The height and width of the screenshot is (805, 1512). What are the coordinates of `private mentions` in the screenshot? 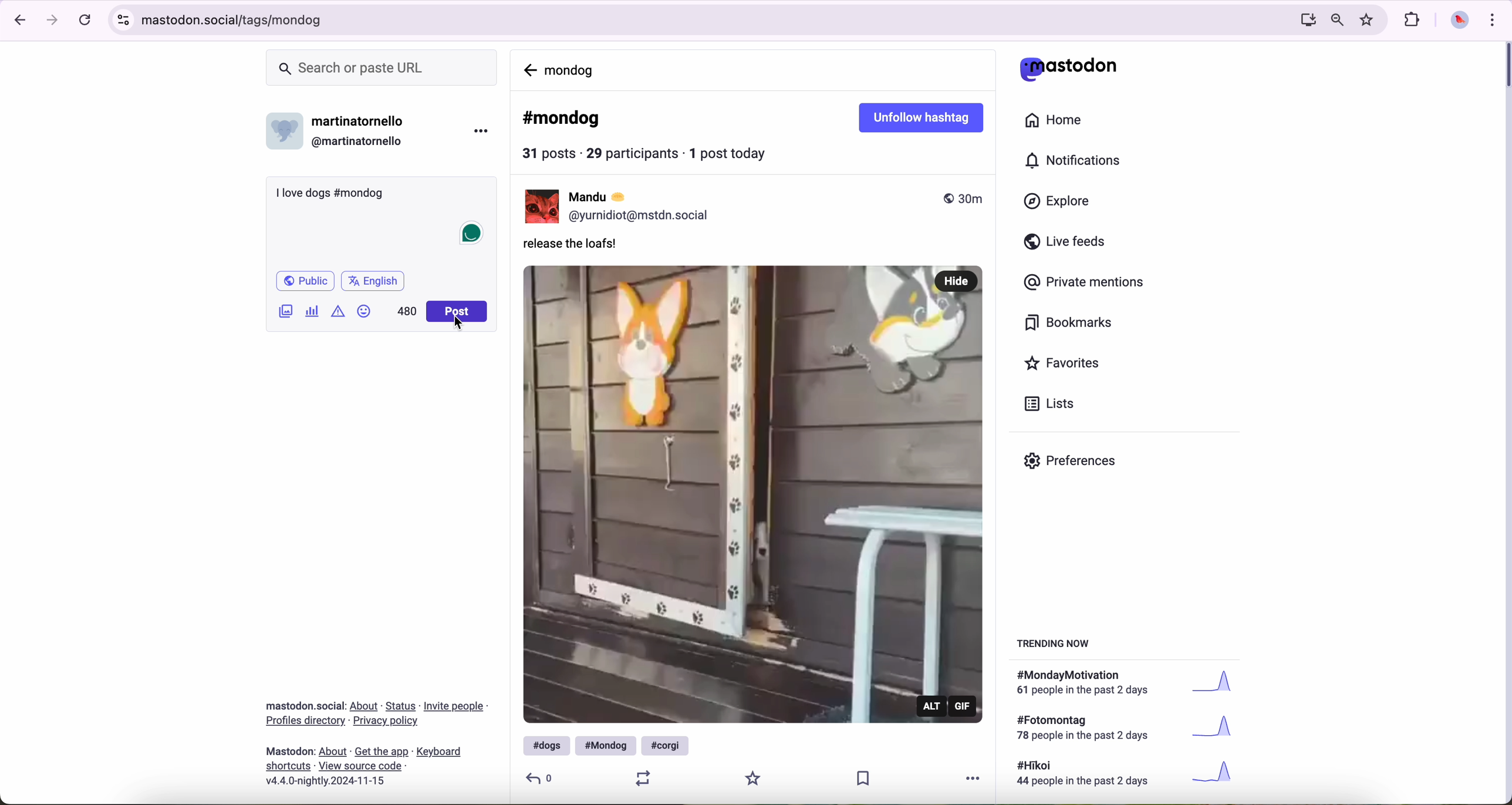 It's located at (1088, 284).